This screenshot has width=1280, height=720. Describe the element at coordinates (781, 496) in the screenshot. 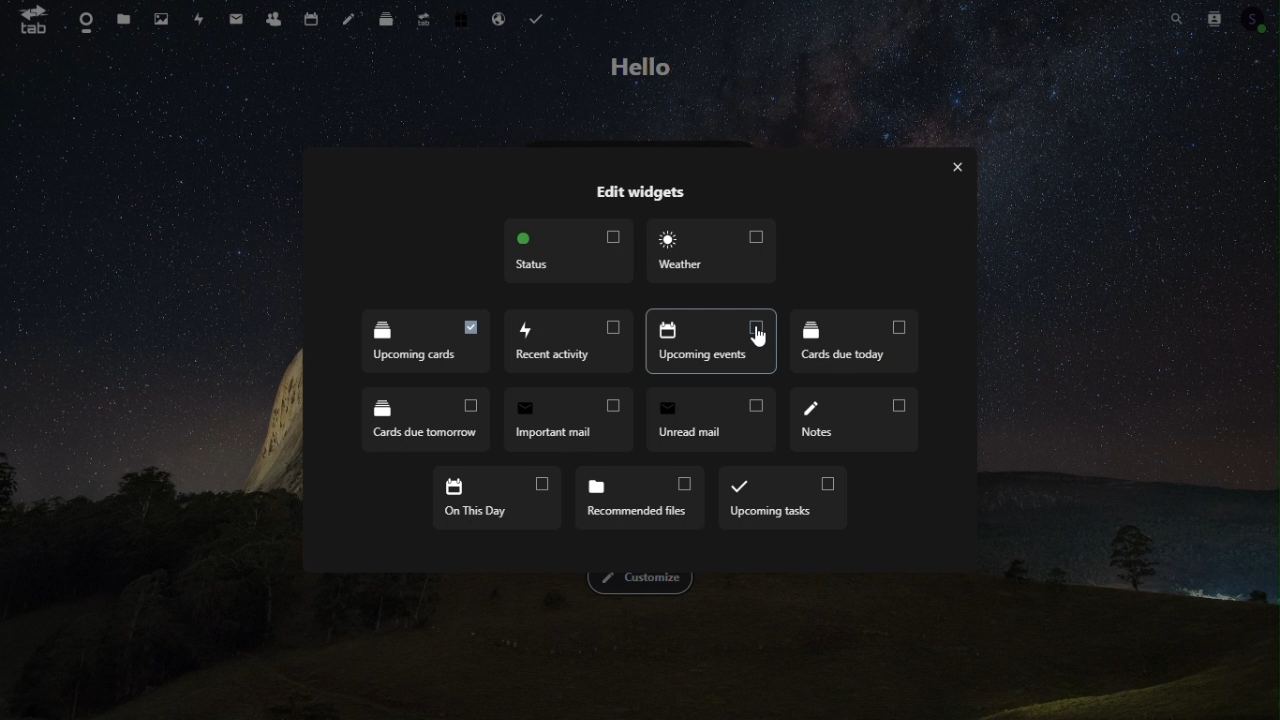

I see `Upcoming task` at that location.